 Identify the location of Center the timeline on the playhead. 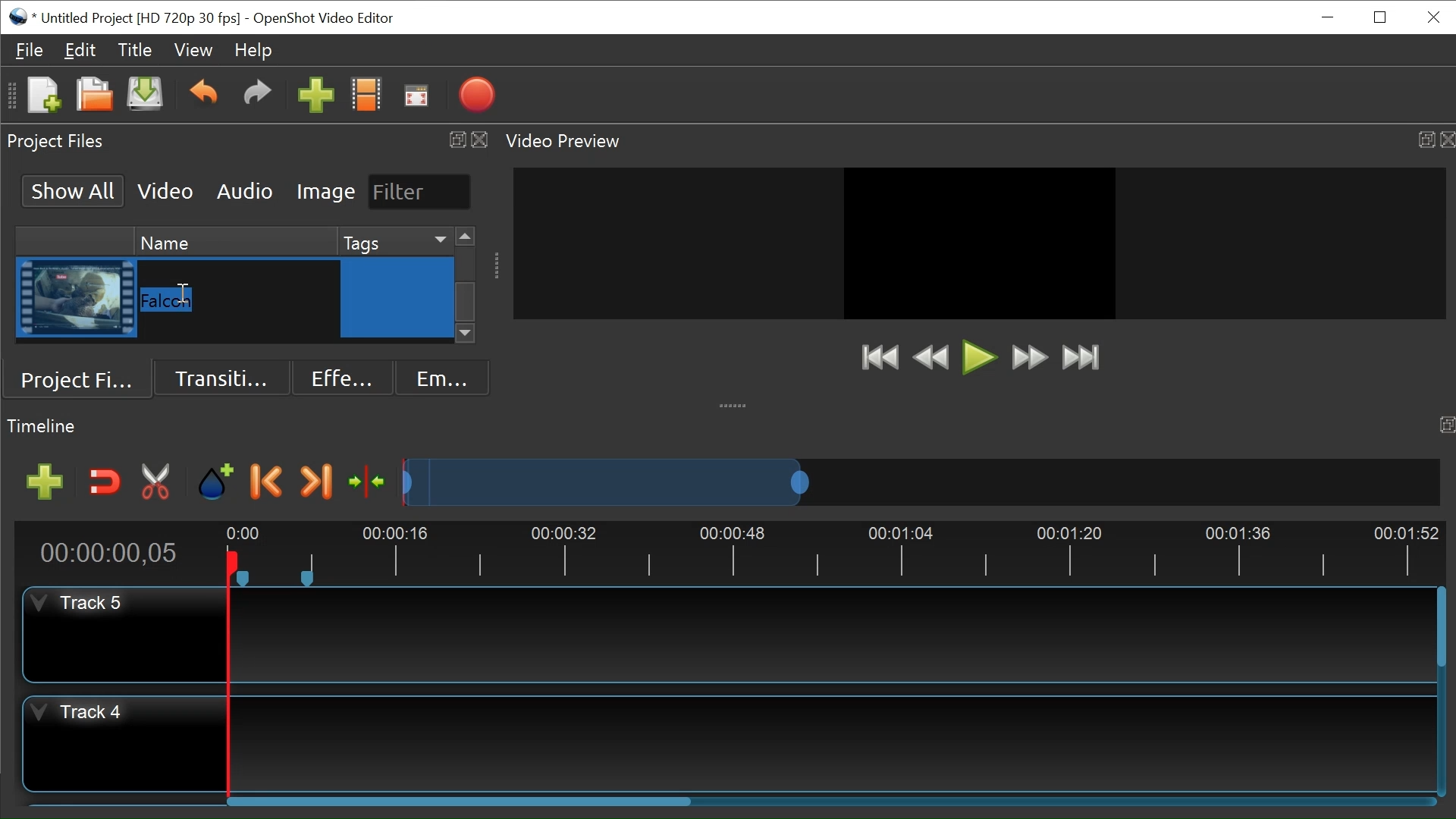
(365, 480).